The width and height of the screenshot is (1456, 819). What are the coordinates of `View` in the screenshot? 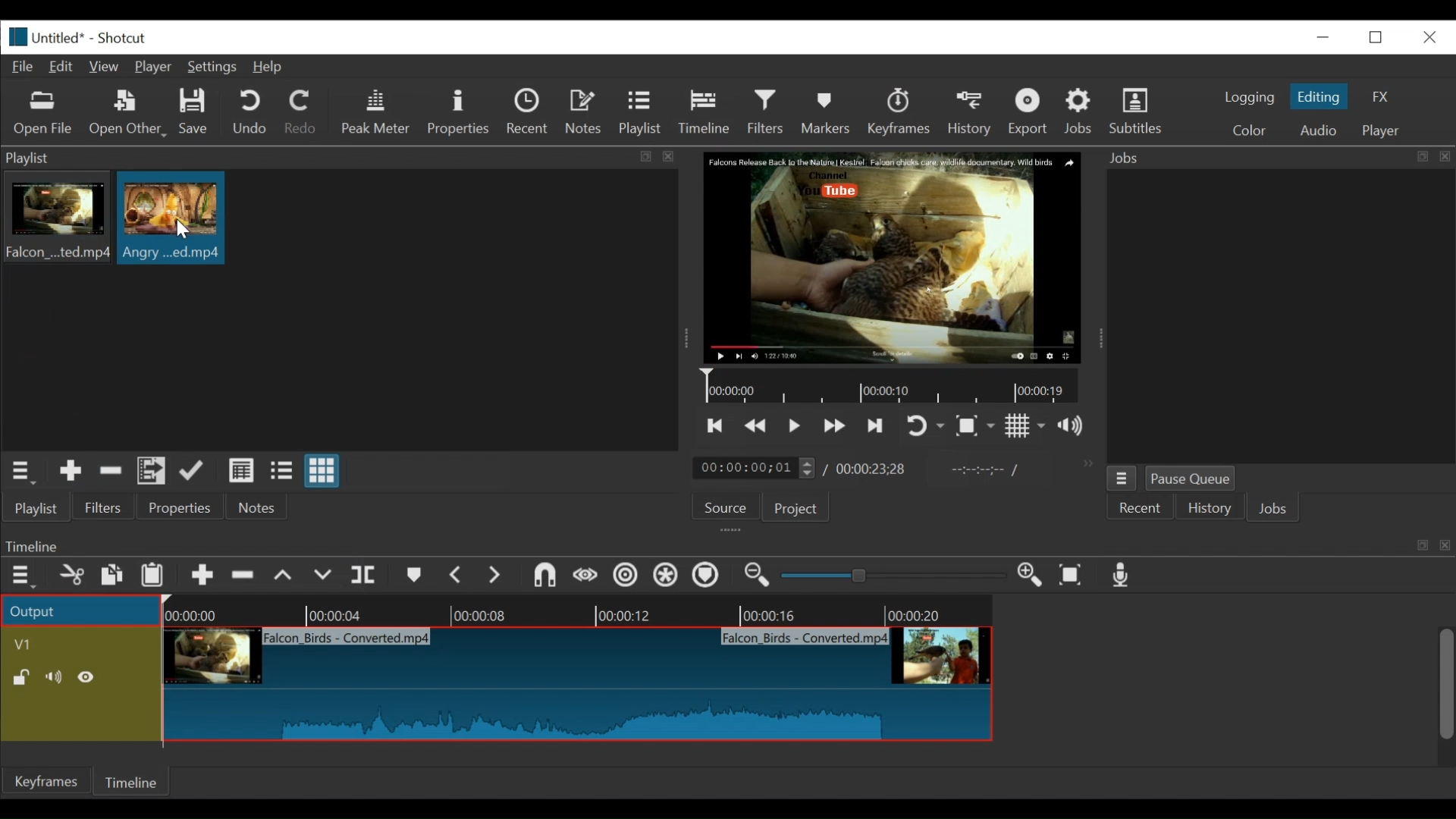 It's located at (105, 67).